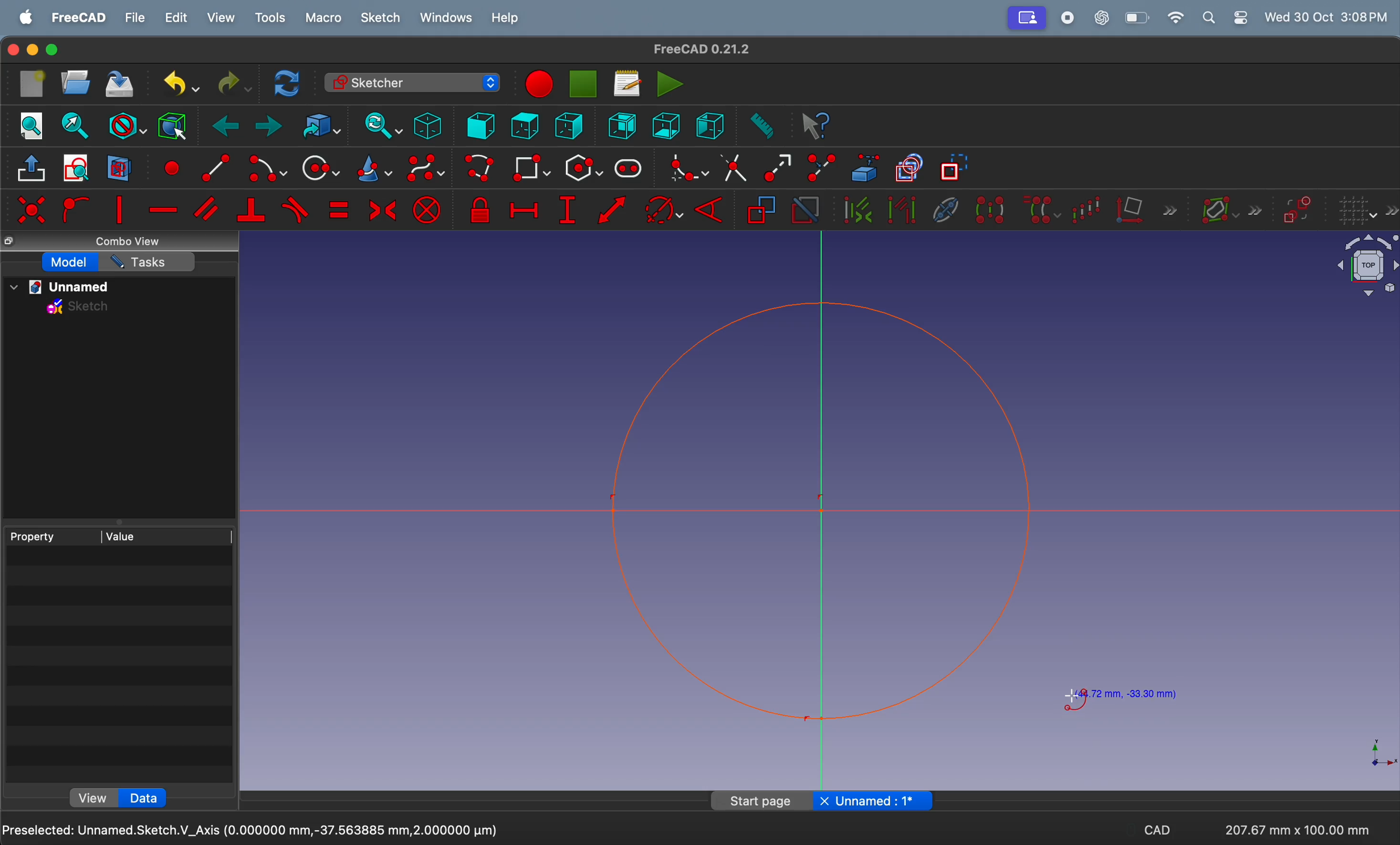  What do you see at coordinates (34, 50) in the screenshot?
I see `minimize` at bounding box center [34, 50].